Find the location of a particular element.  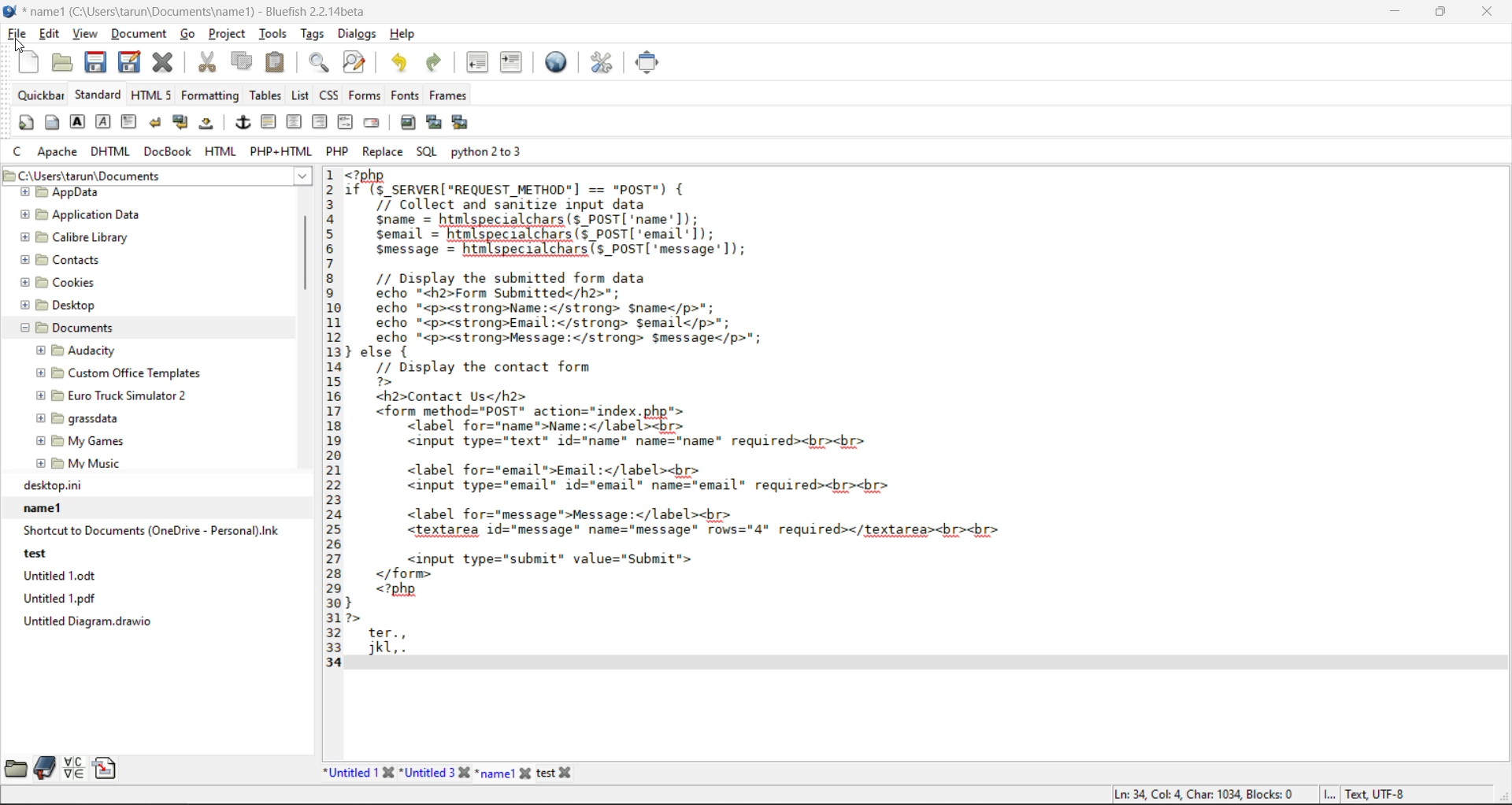

emphasis is located at coordinates (105, 121).